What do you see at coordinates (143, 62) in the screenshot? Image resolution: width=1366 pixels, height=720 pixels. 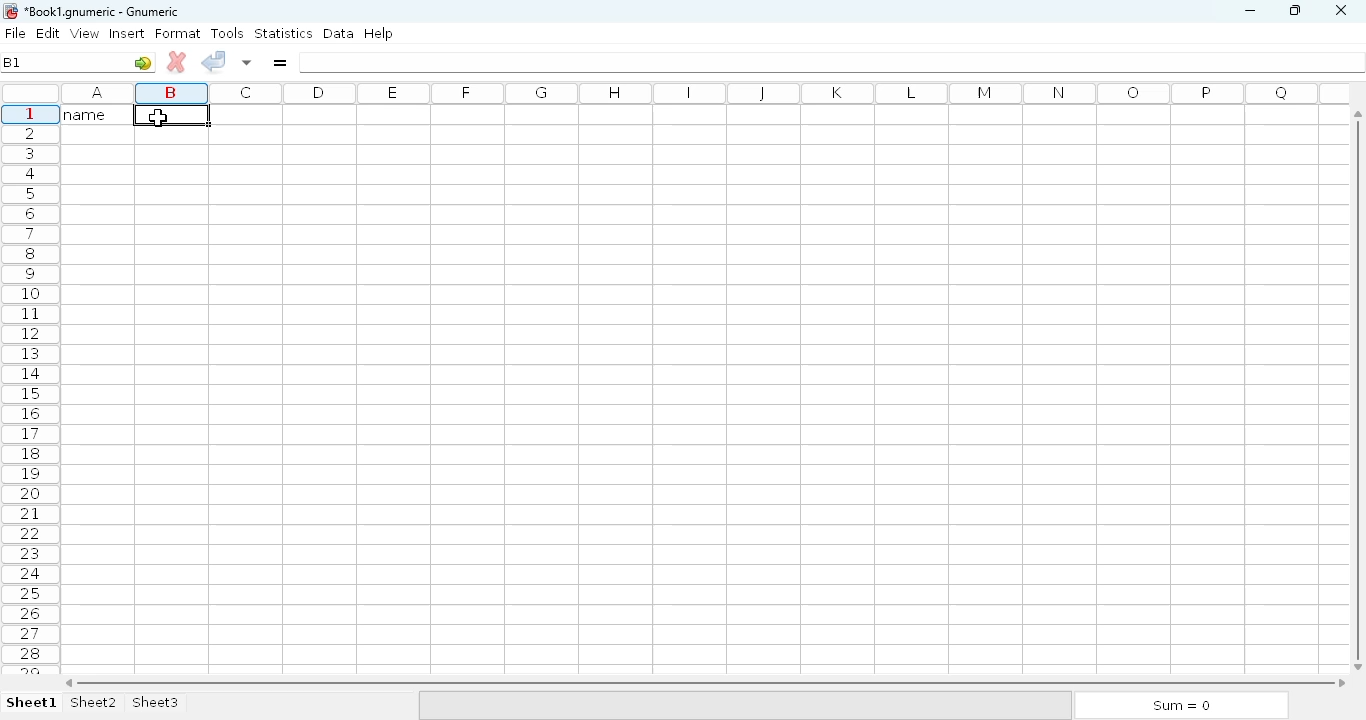 I see `go to` at bounding box center [143, 62].